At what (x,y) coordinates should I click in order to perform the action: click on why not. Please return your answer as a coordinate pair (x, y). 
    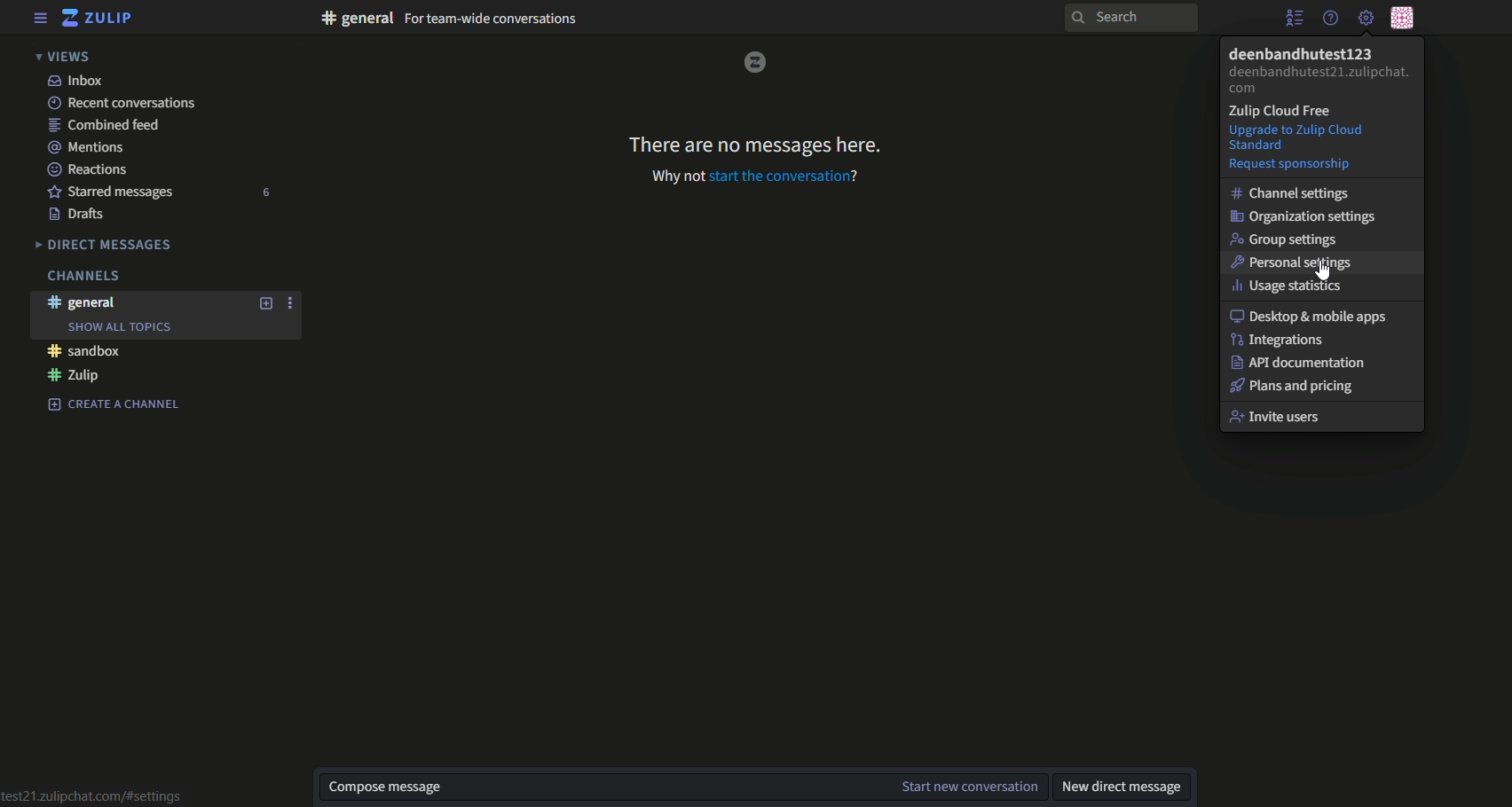
    Looking at the image, I should click on (677, 176).